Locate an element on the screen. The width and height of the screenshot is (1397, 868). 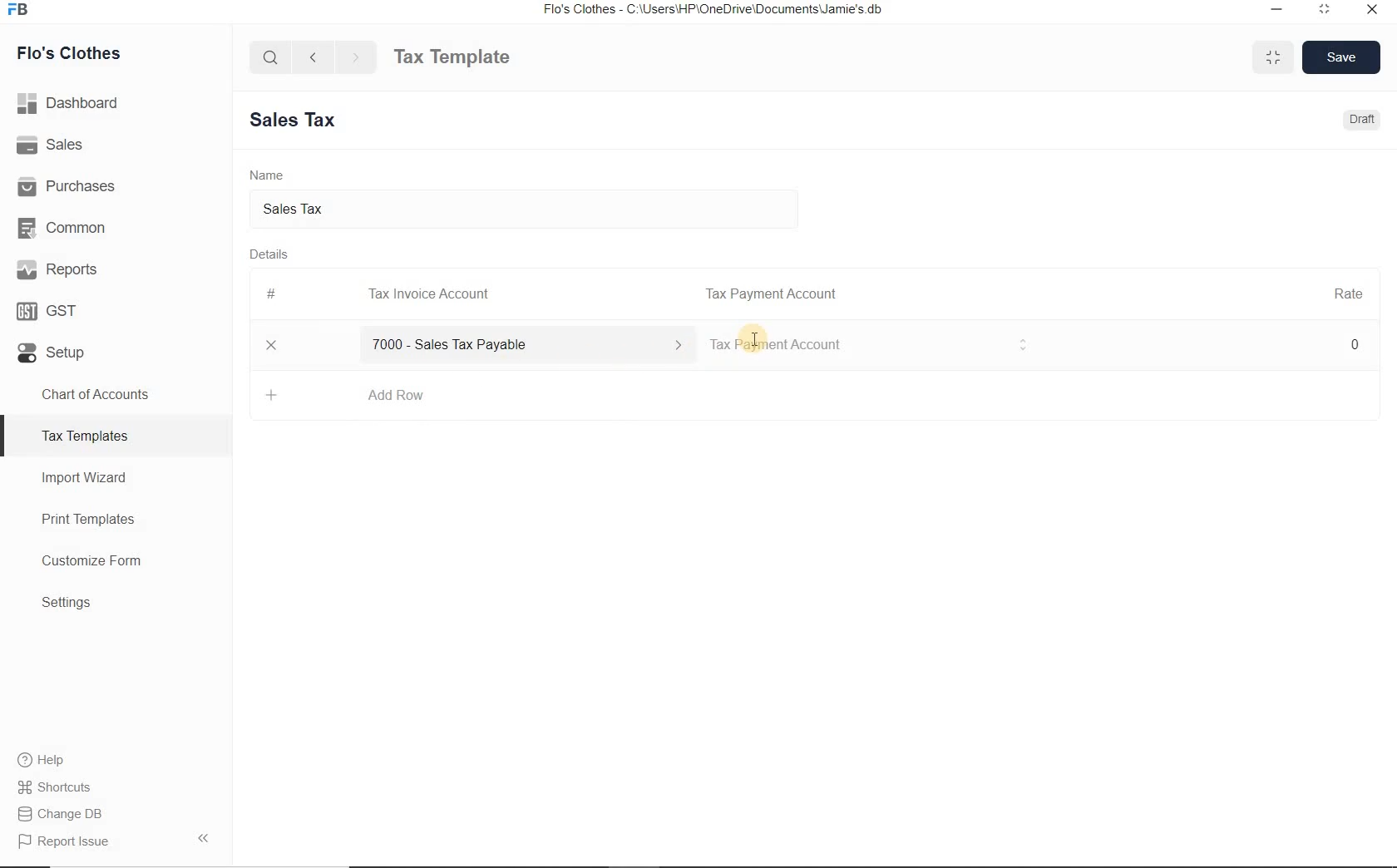
Common is located at coordinates (116, 225).